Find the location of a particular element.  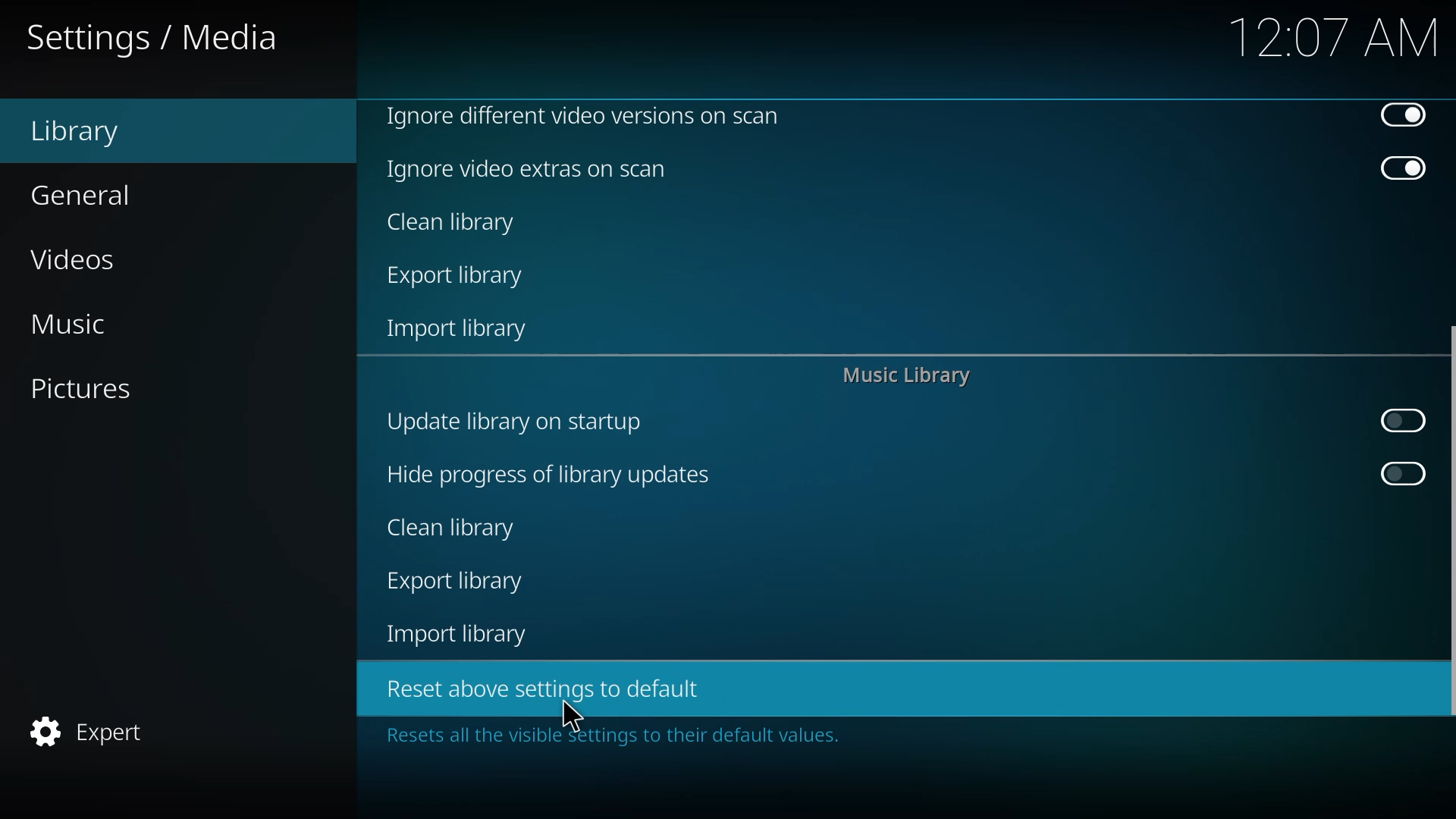

import is located at coordinates (460, 634).